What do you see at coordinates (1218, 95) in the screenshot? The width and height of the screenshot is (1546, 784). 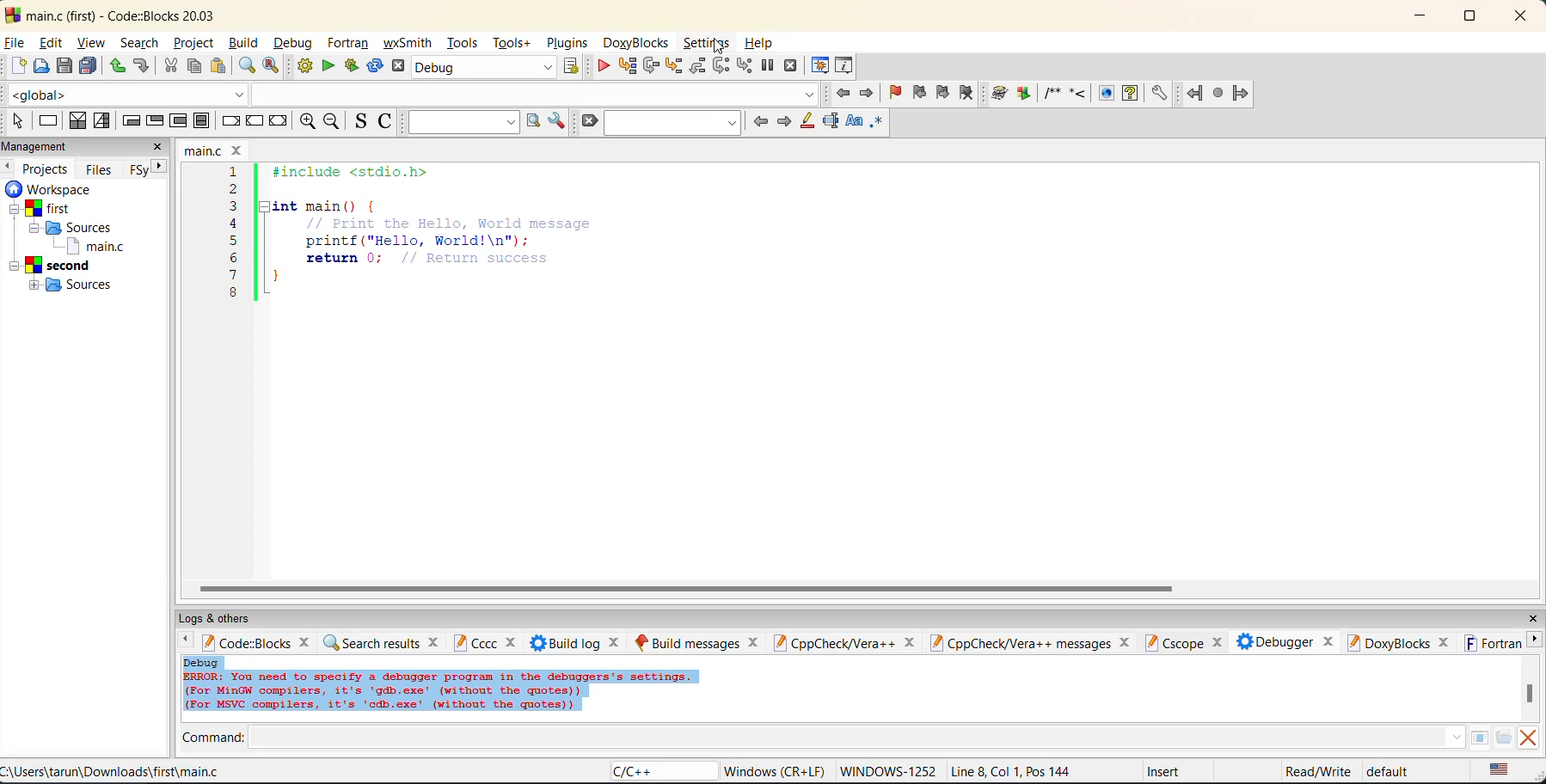 I see `last jump` at bounding box center [1218, 95].